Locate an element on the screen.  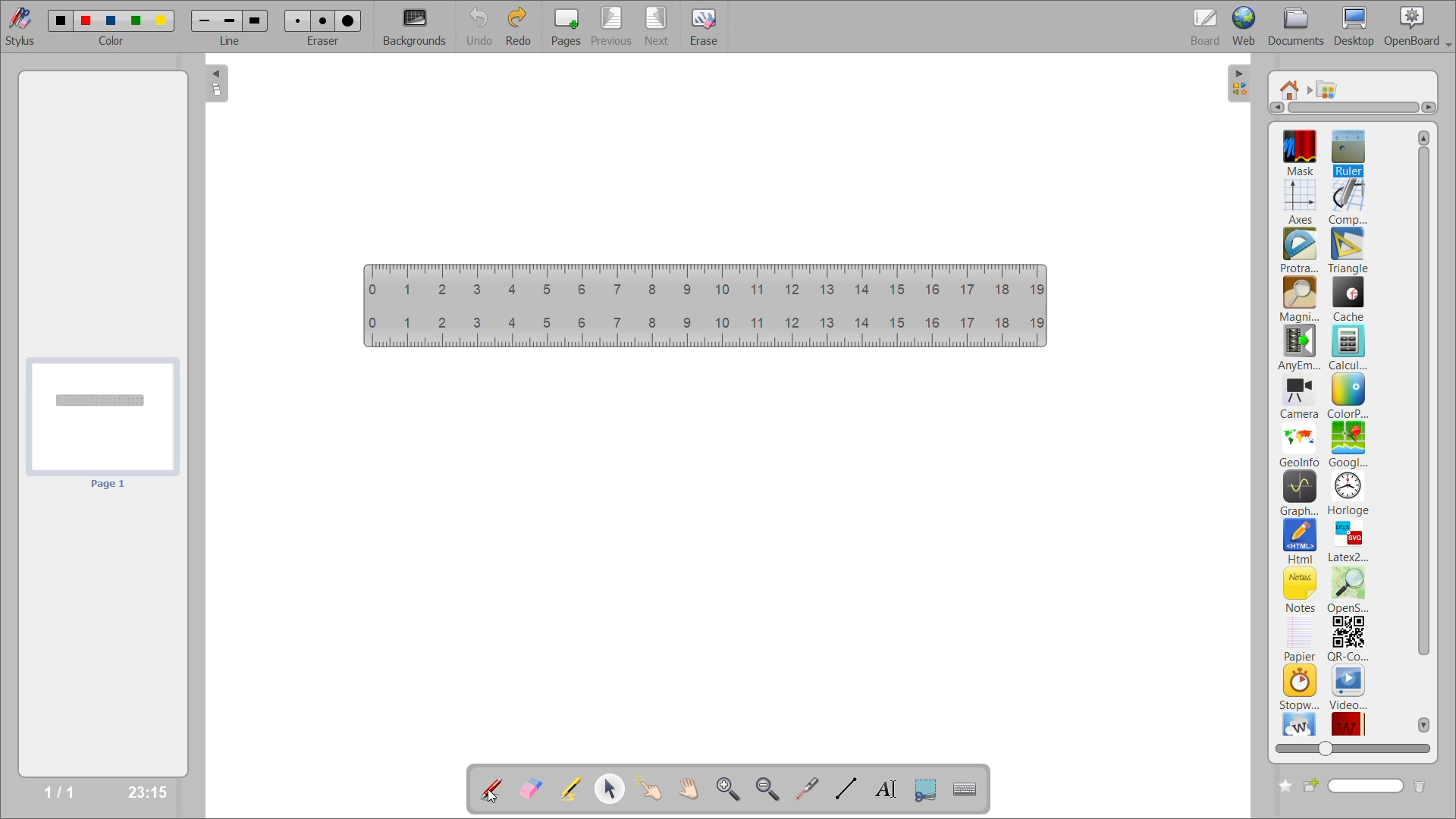
undo is located at coordinates (481, 25).